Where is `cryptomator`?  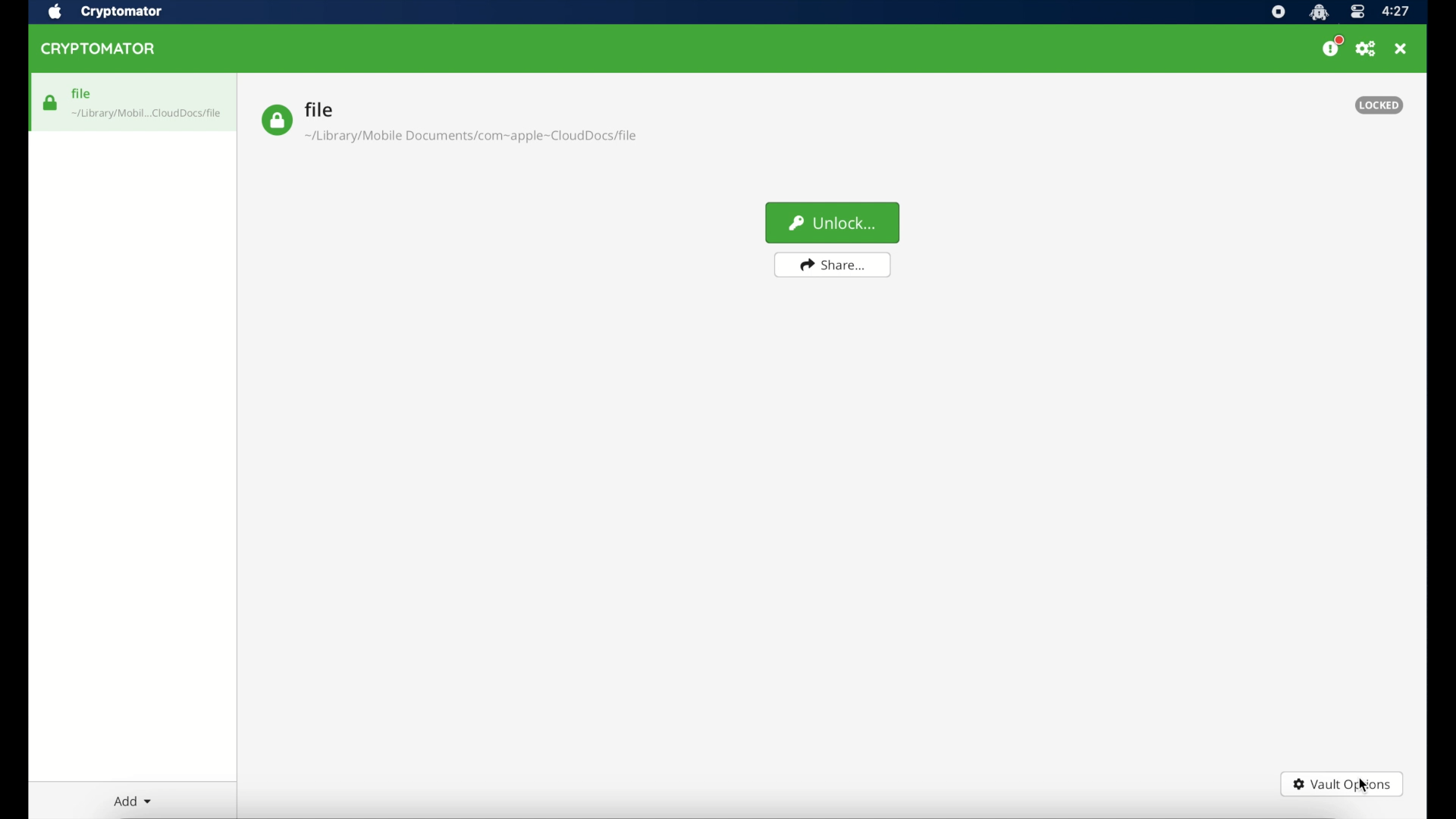
cryptomator is located at coordinates (101, 49).